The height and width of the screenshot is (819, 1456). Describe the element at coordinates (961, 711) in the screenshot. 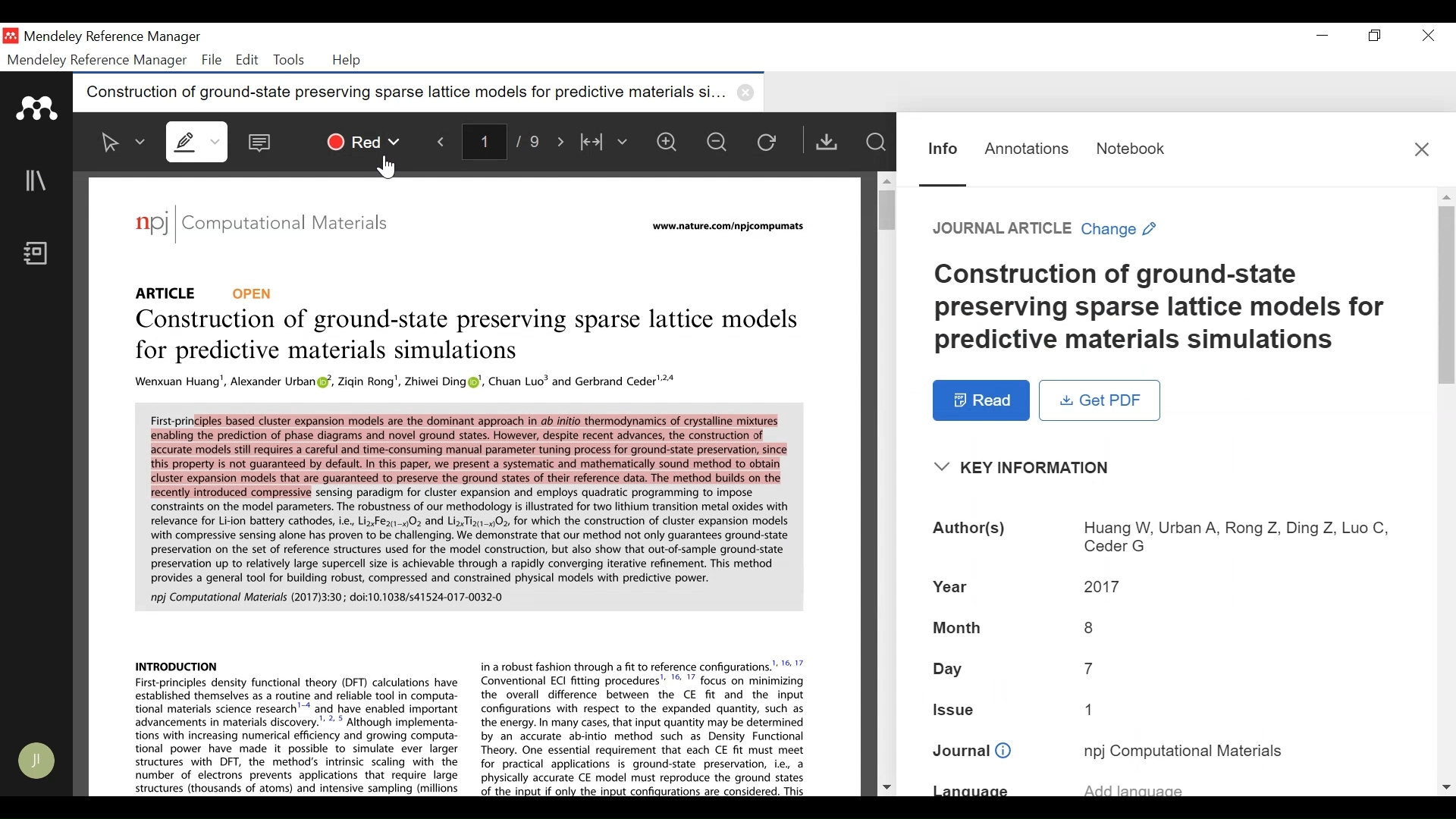

I see `Issue` at that location.